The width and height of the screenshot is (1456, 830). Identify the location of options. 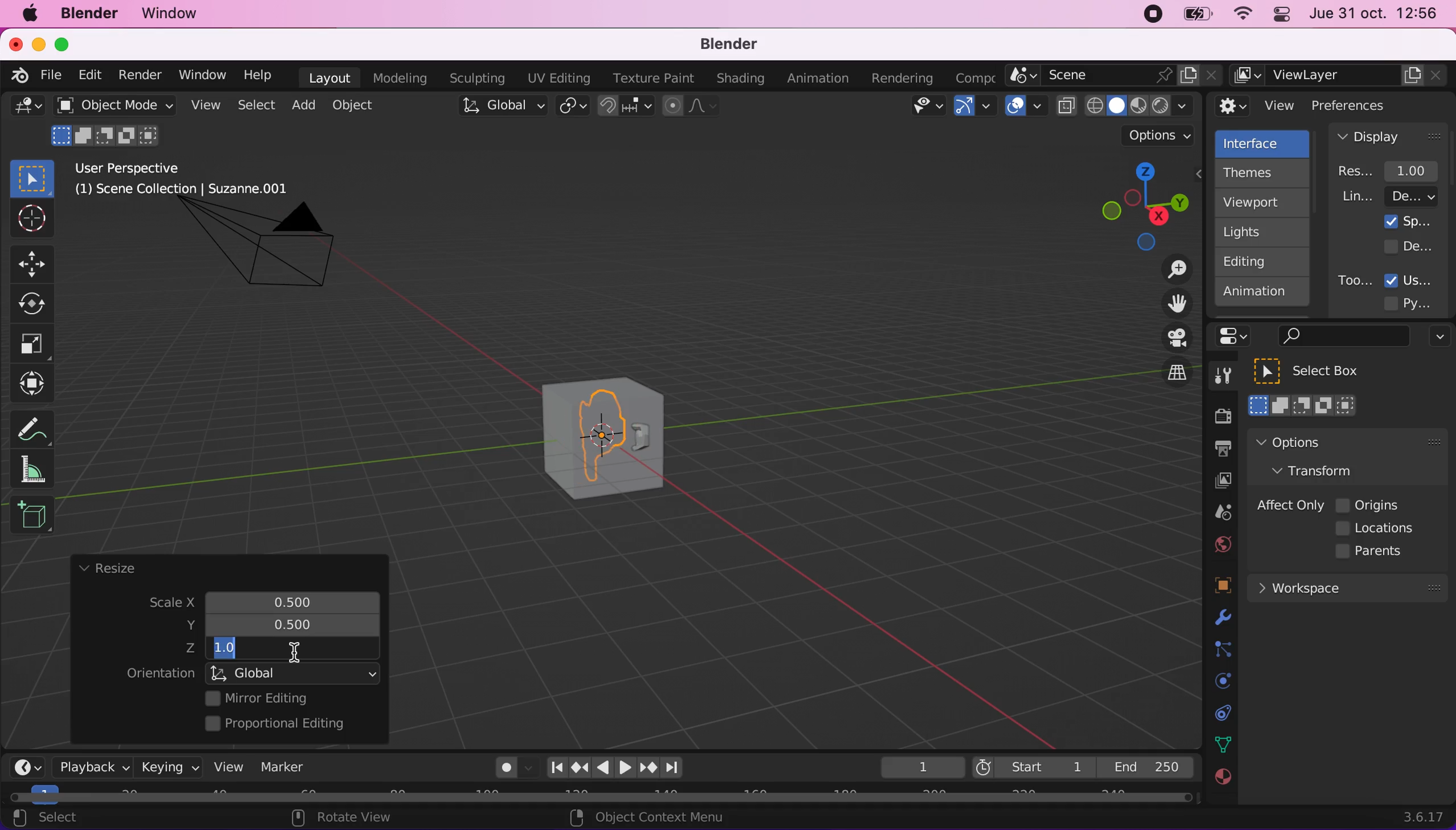
(1437, 338).